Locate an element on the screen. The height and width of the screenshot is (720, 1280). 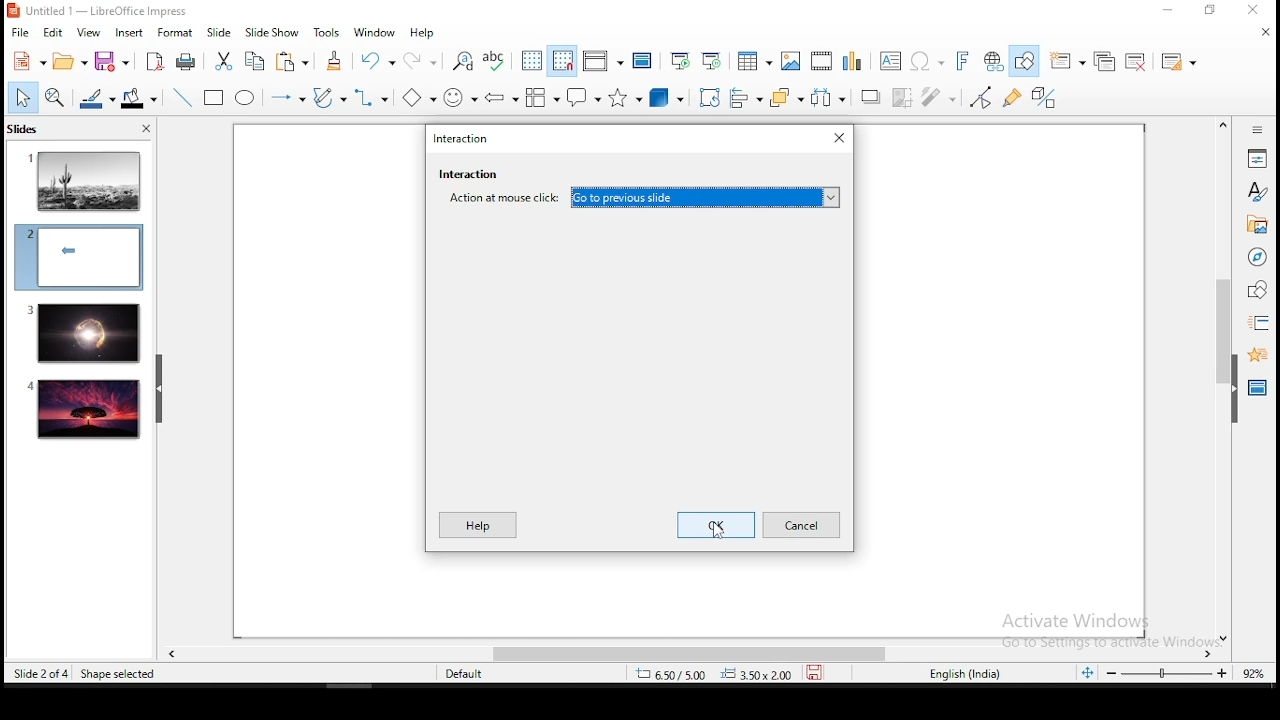
properties is located at coordinates (1257, 157).